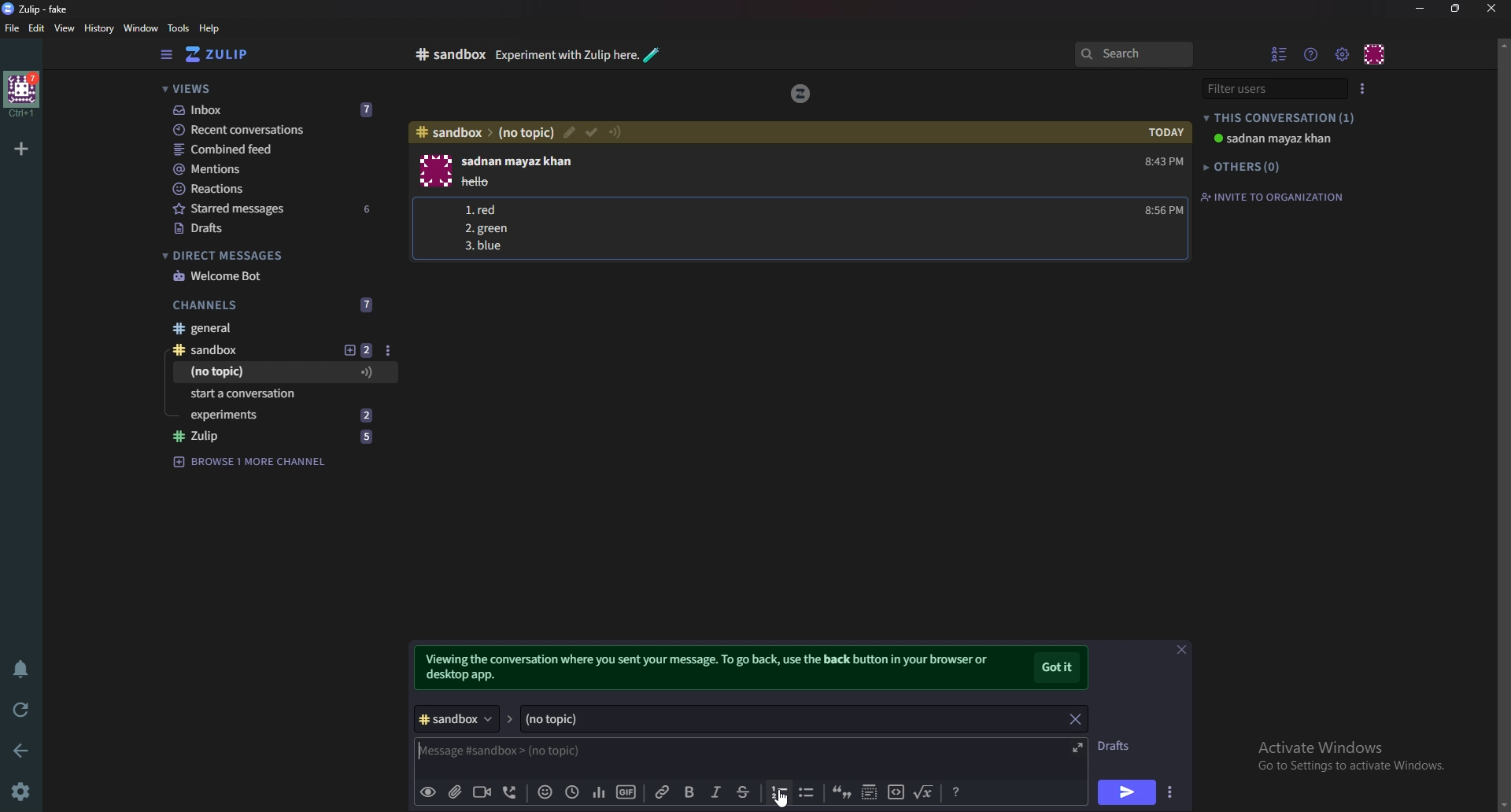 Image resolution: width=1511 pixels, height=812 pixels. Describe the element at coordinates (1127, 792) in the screenshot. I see `Send` at that location.